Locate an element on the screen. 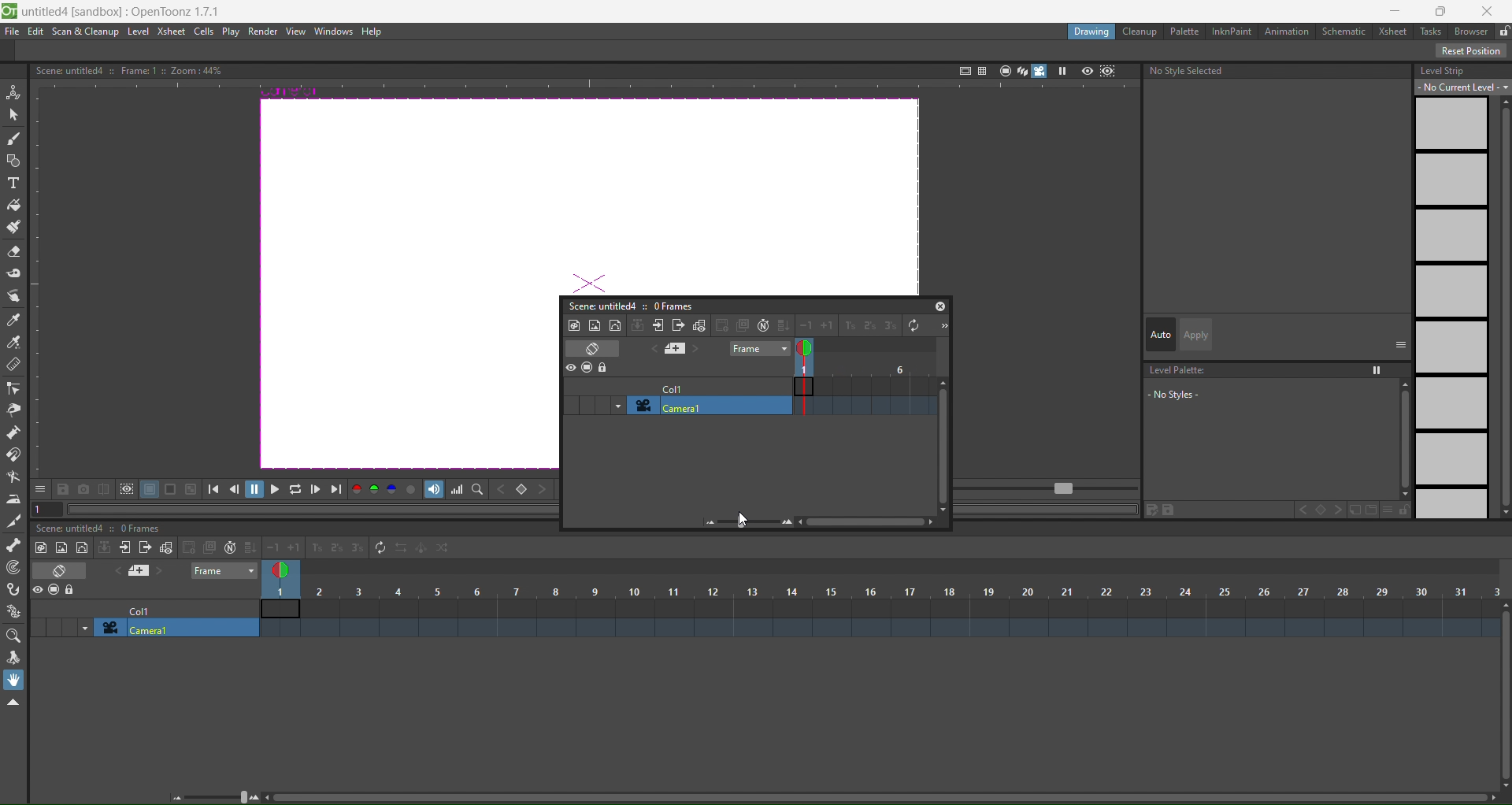 Image resolution: width=1512 pixels, height=805 pixels. skeleton tool is located at coordinates (14, 544).